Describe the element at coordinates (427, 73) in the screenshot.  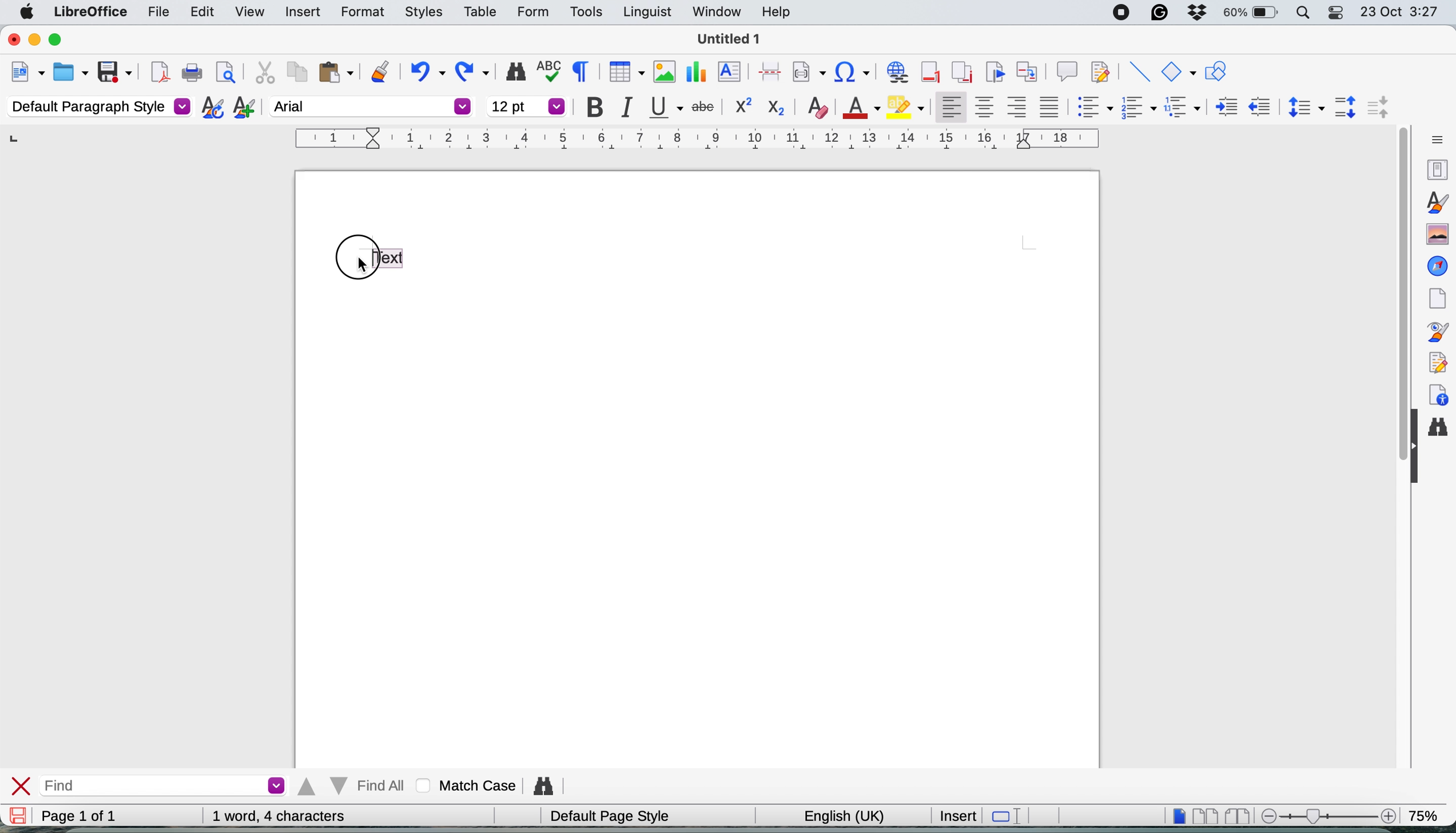
I see `undo` at that location.